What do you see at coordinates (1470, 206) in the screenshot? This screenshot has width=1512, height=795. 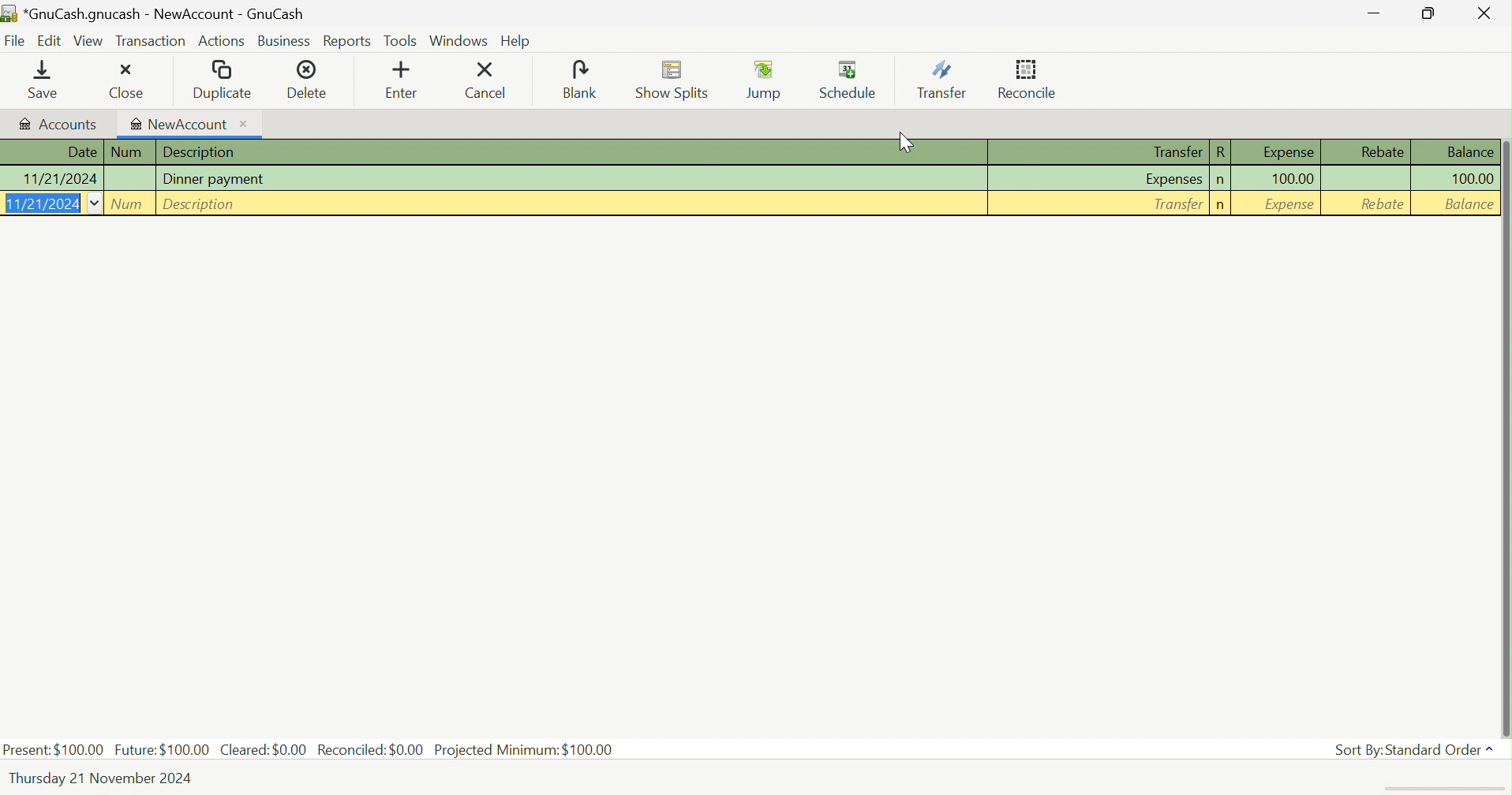 I see `balance` at bounding box center [1470, 206].